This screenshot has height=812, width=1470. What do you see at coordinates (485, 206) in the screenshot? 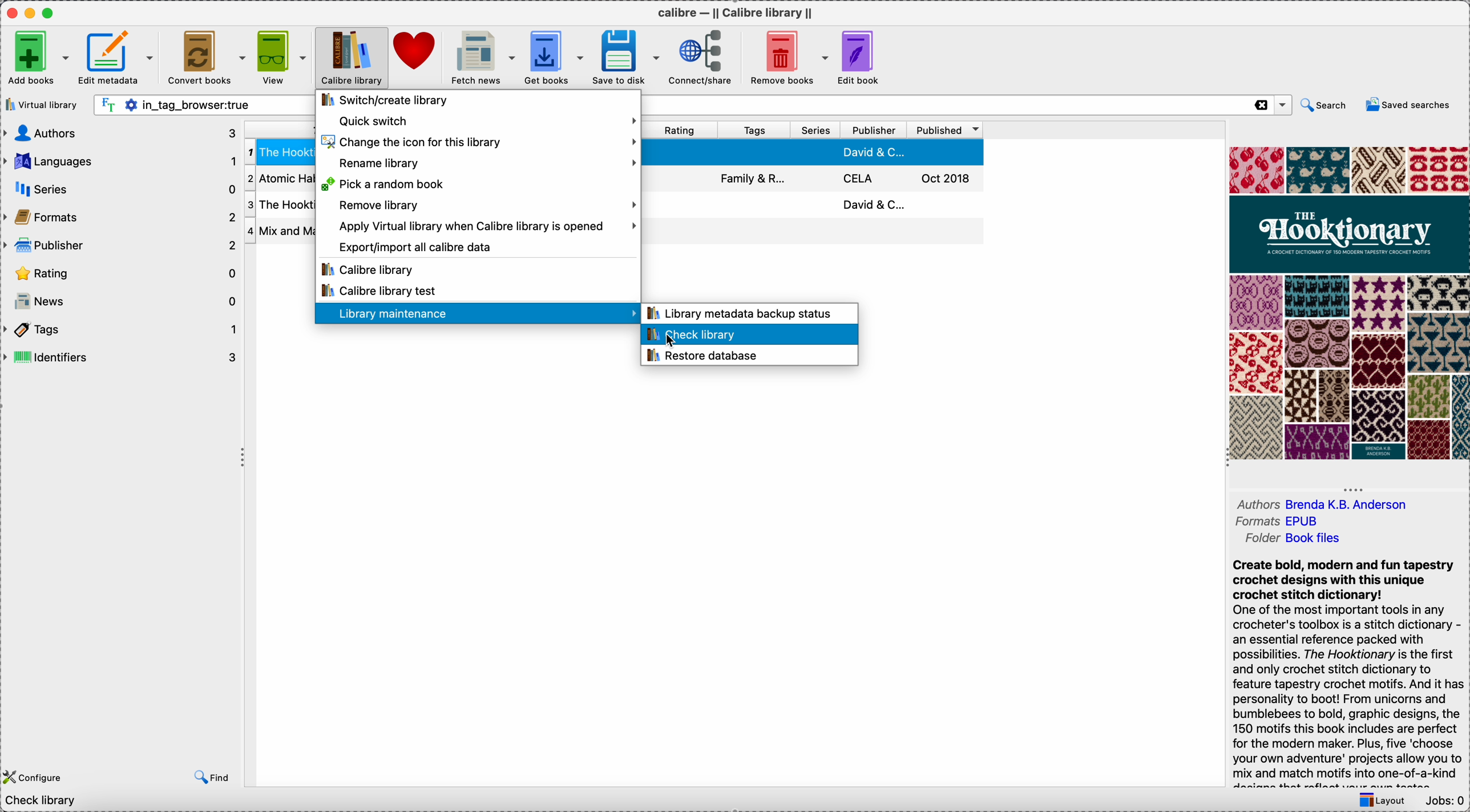
I see `remove library` at bounding box center [485, 206].